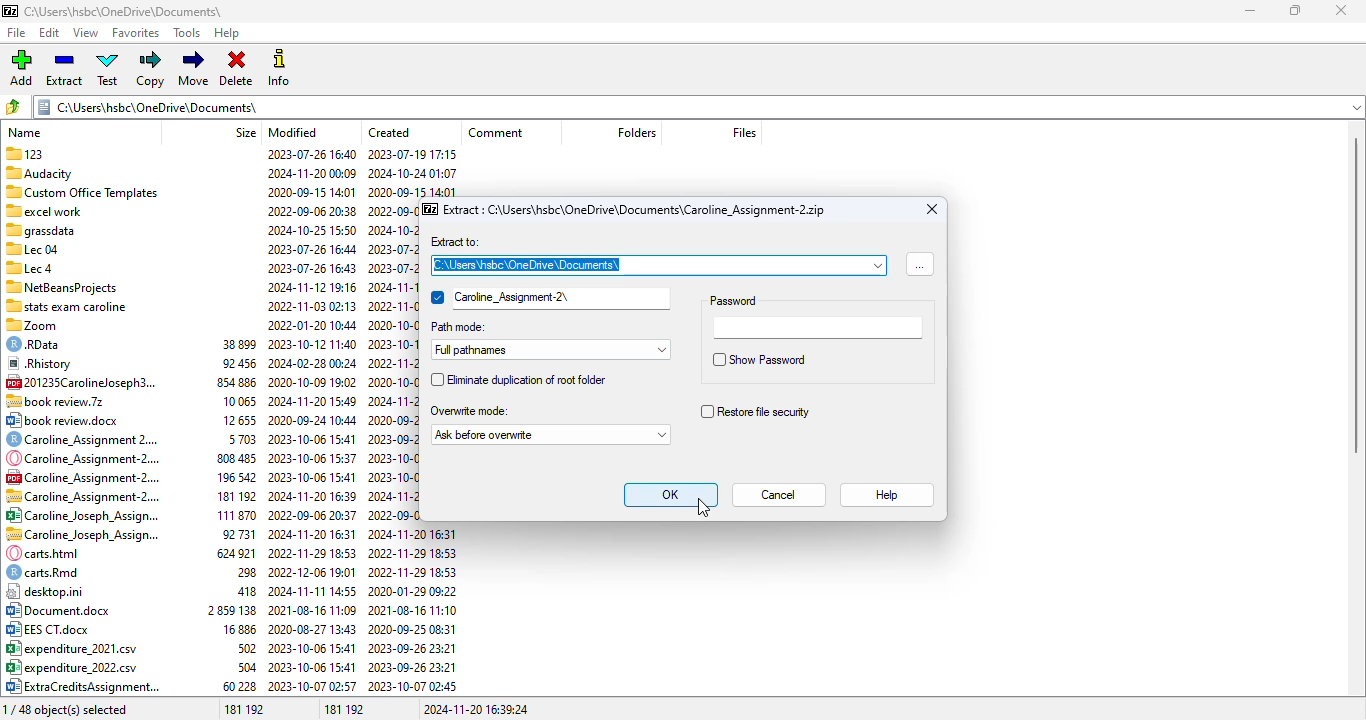 This screenshot has width=1366, height=720. Describe the element at coordinates (211, 400) in the screenshot. I see `25 book review.7z 10065 2024-11-20 15:49 2024-11-20 15:49` at that location.